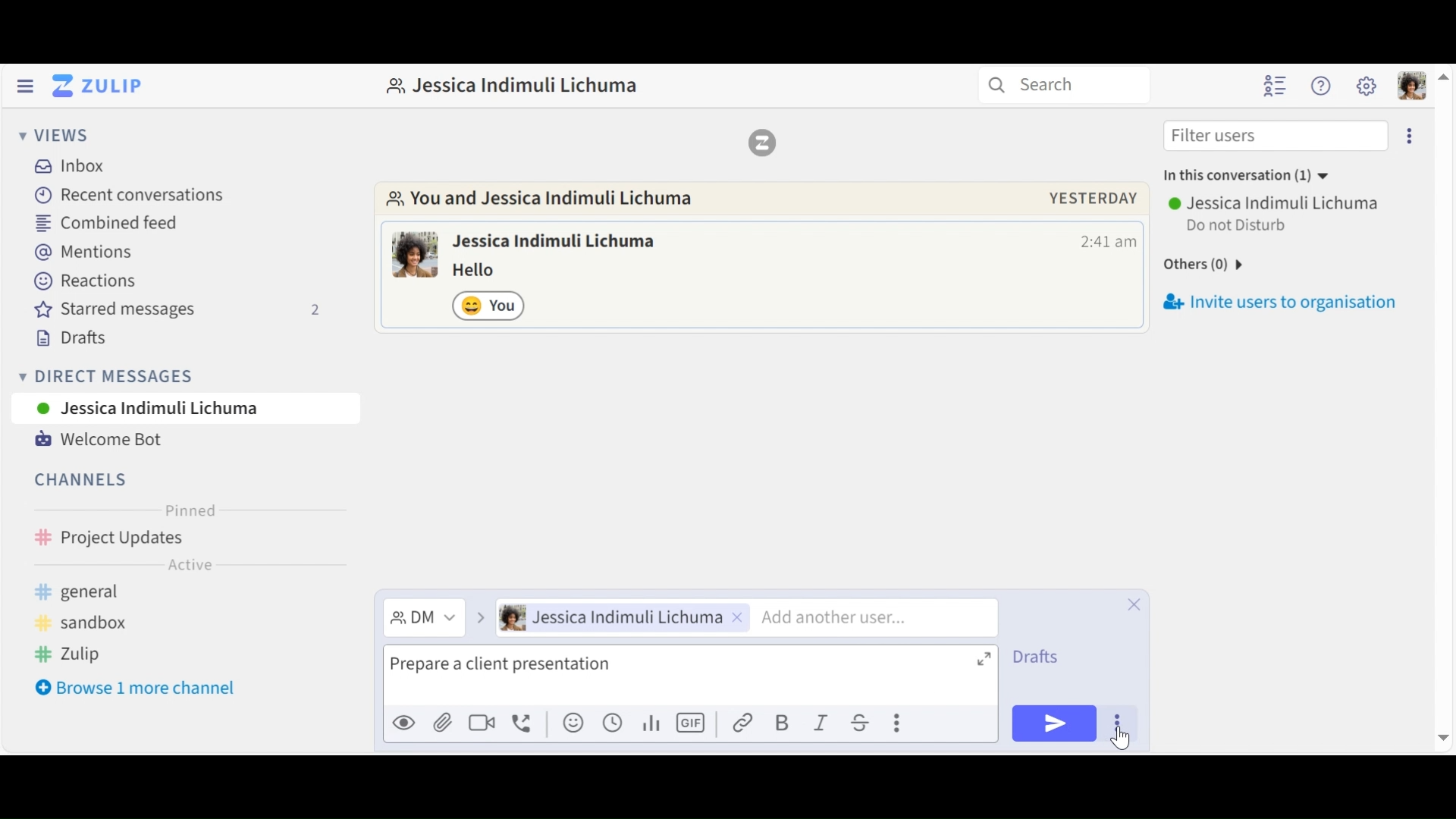 The width and height of the screenshot is (1456, 819). I want to click on Channel, so click(83, 479).